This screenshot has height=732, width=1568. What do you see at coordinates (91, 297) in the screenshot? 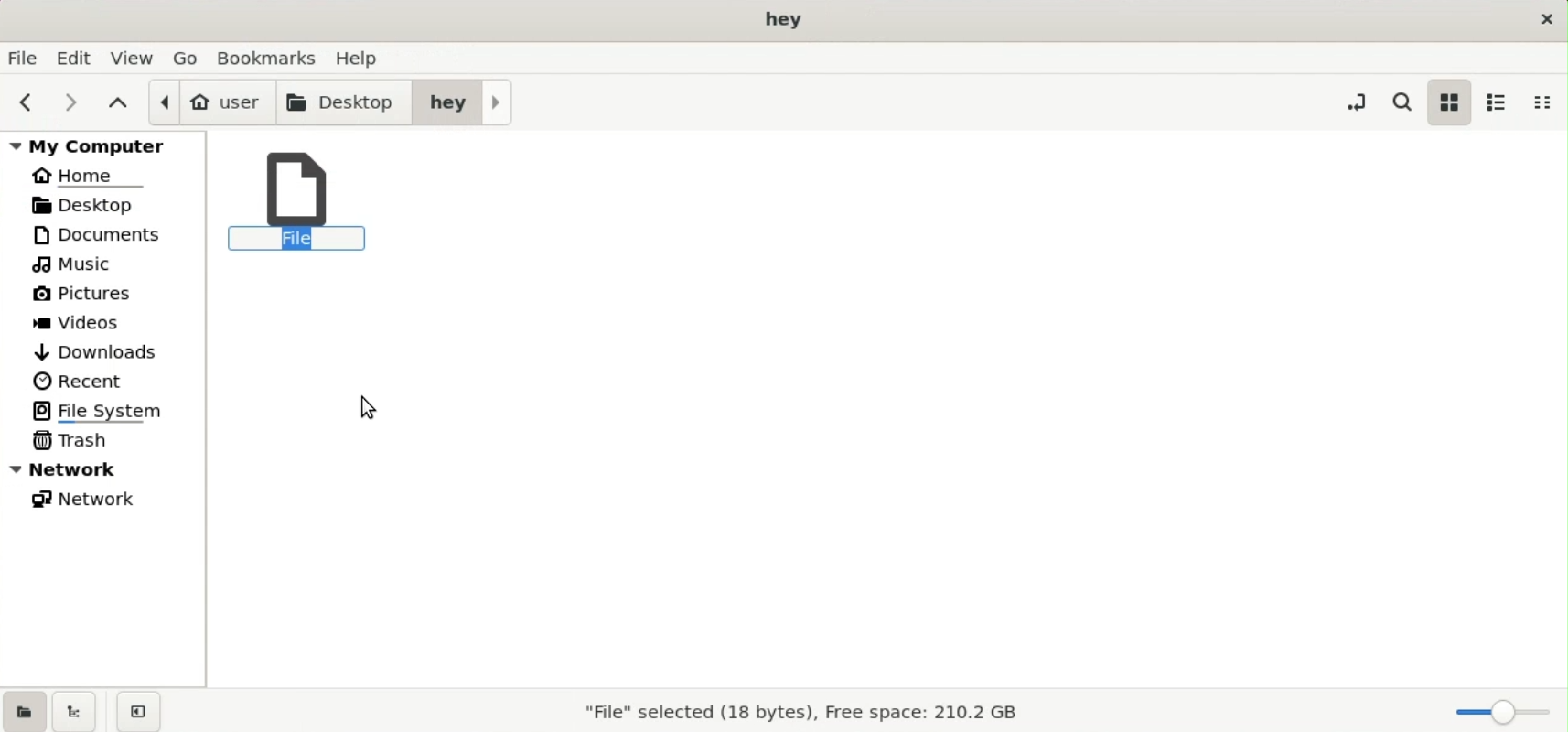
I see `pictures` at bounding box center [91, 297].